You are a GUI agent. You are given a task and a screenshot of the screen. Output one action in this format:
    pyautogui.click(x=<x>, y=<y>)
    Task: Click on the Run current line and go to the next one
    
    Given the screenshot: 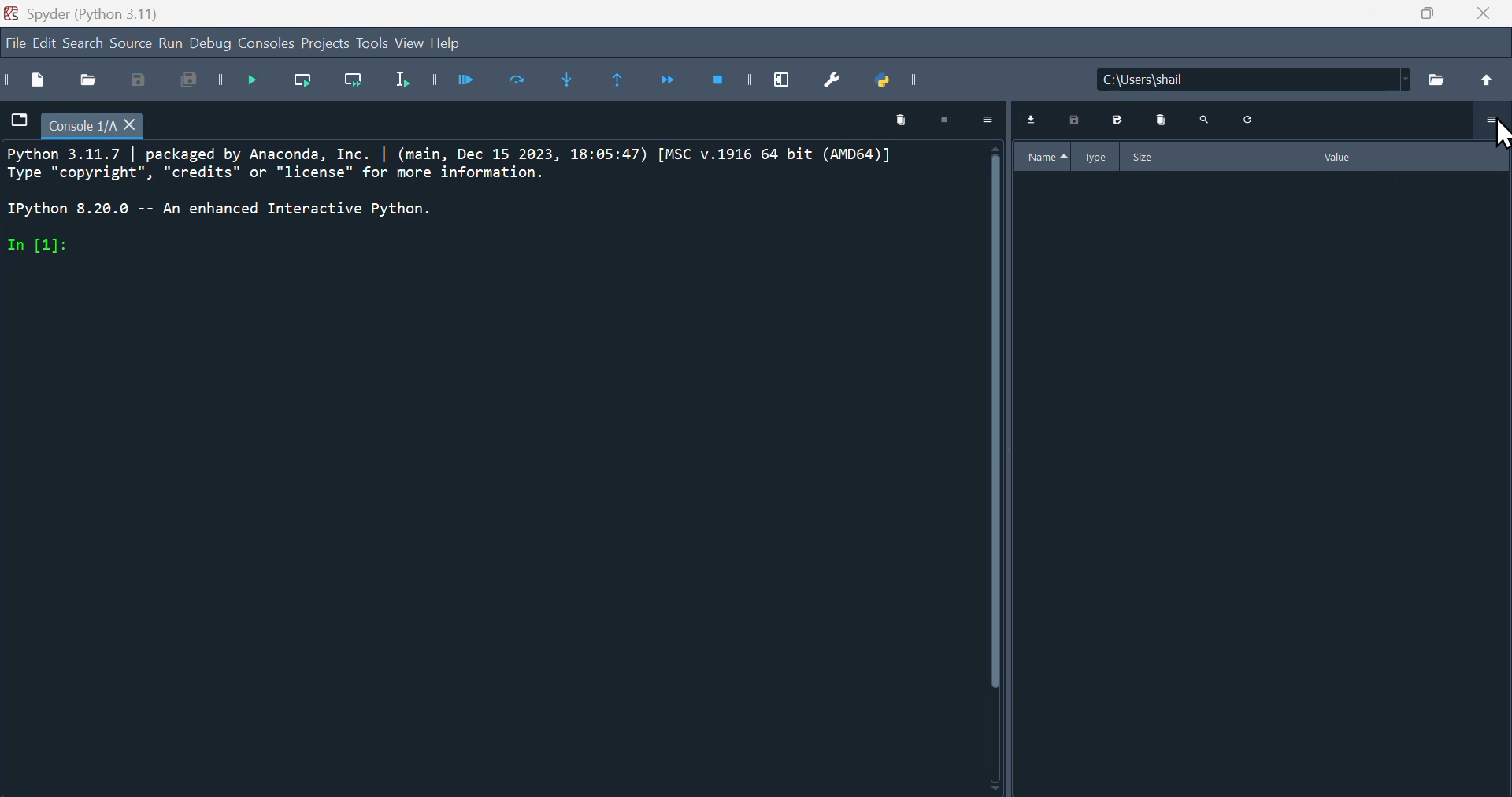 What is the action you would take?
    pyautogui.click(x=358, y=84)
    